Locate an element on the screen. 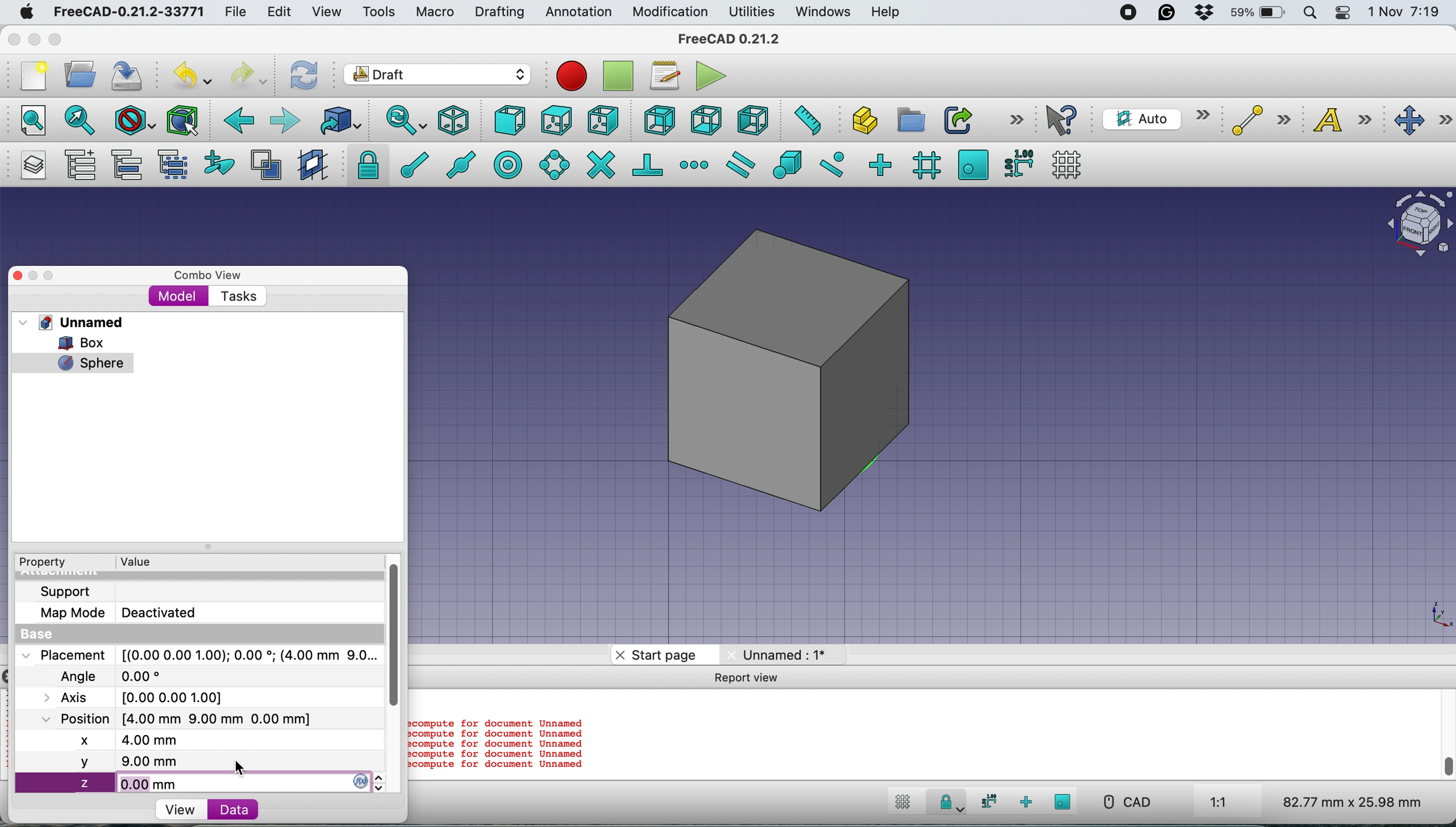 The height and width of the screenshot is (827, 1456). combo view is located at coordinates (208, 275).